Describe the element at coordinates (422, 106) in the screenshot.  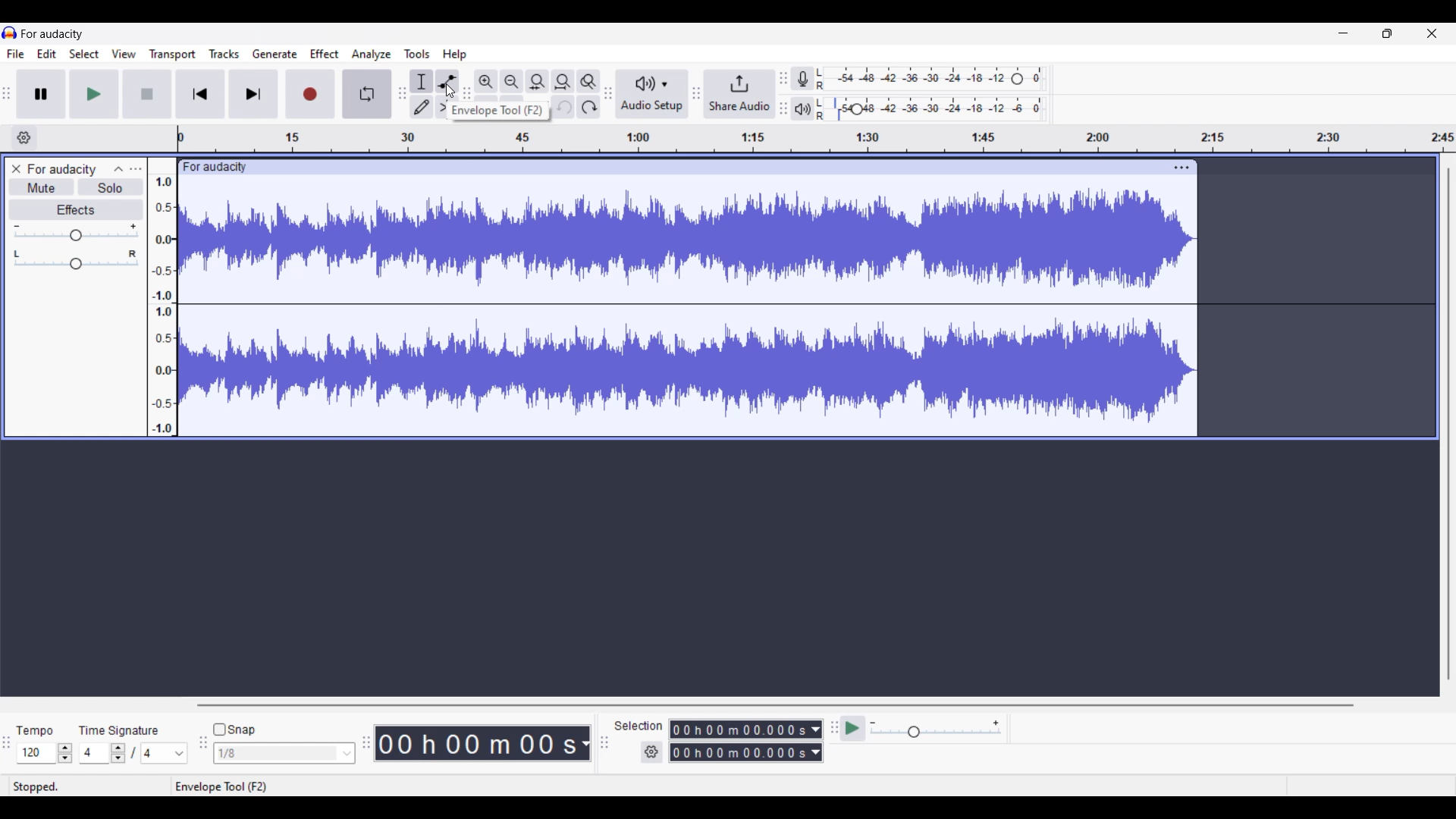
I see `Draw tool` at that location.